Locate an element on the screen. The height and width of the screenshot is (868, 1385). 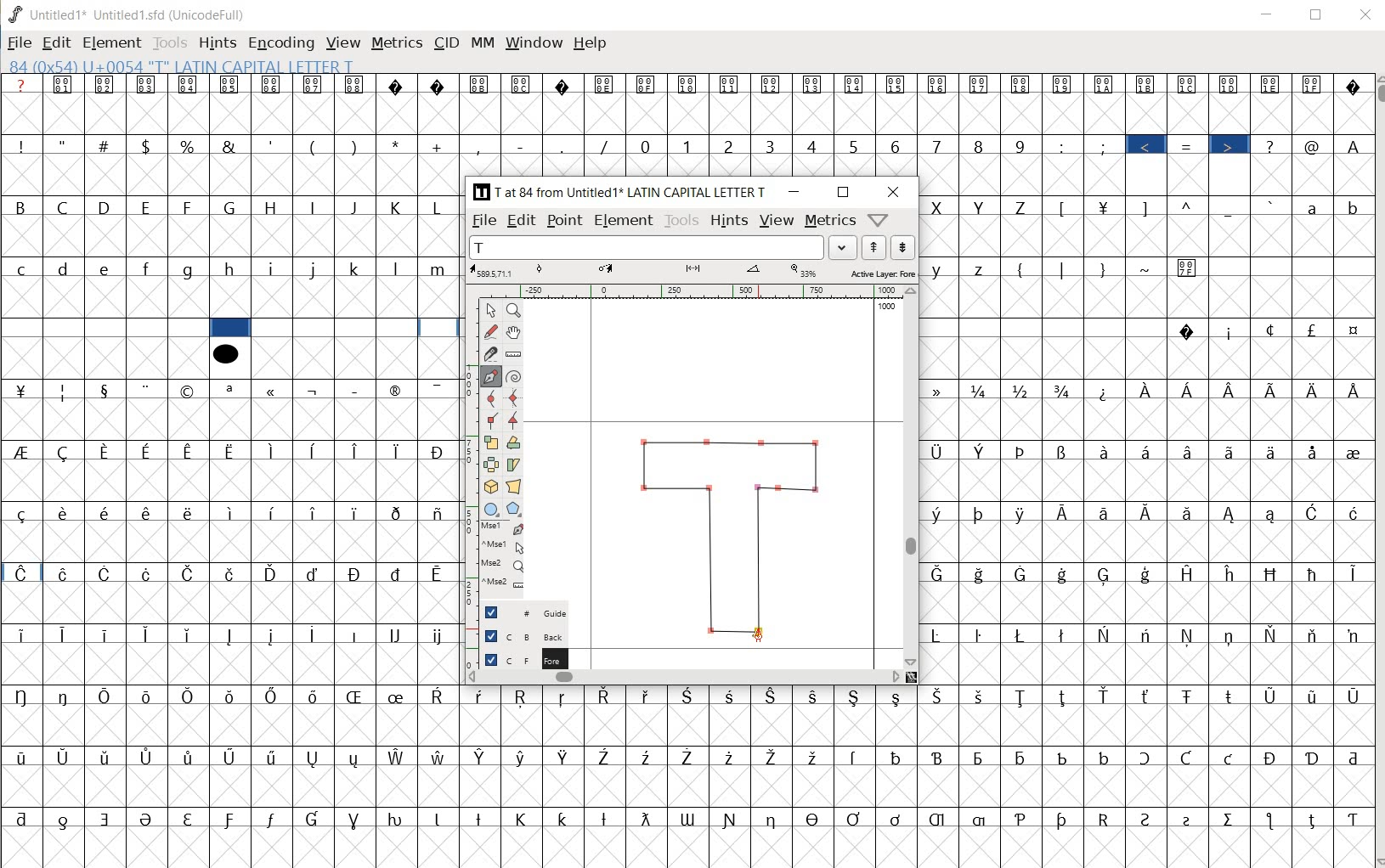
Symbol is located at coordinates (731, 86).